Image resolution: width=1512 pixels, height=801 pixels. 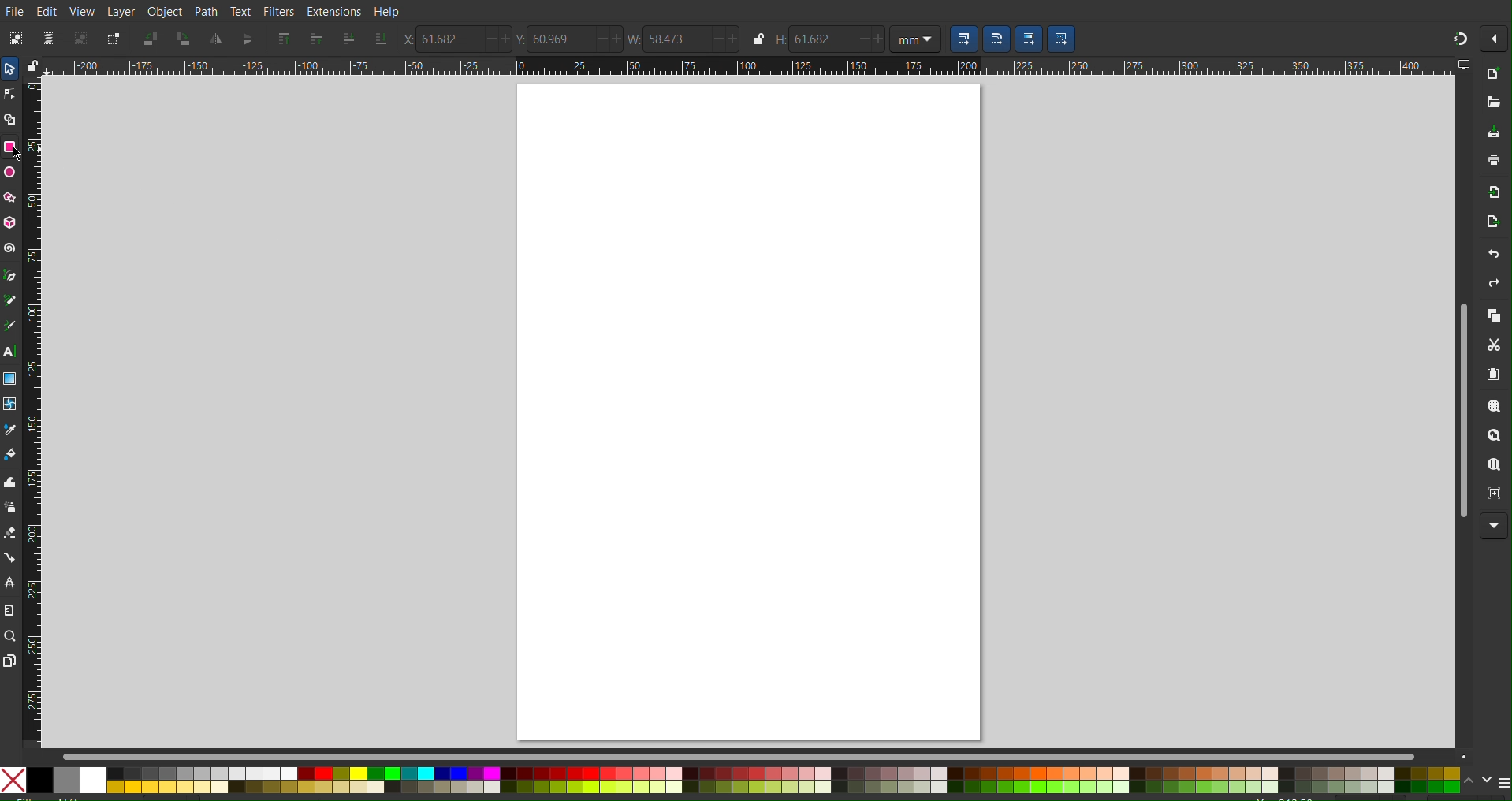 I want to click on increase/decrease, so click(x=873, y=39).